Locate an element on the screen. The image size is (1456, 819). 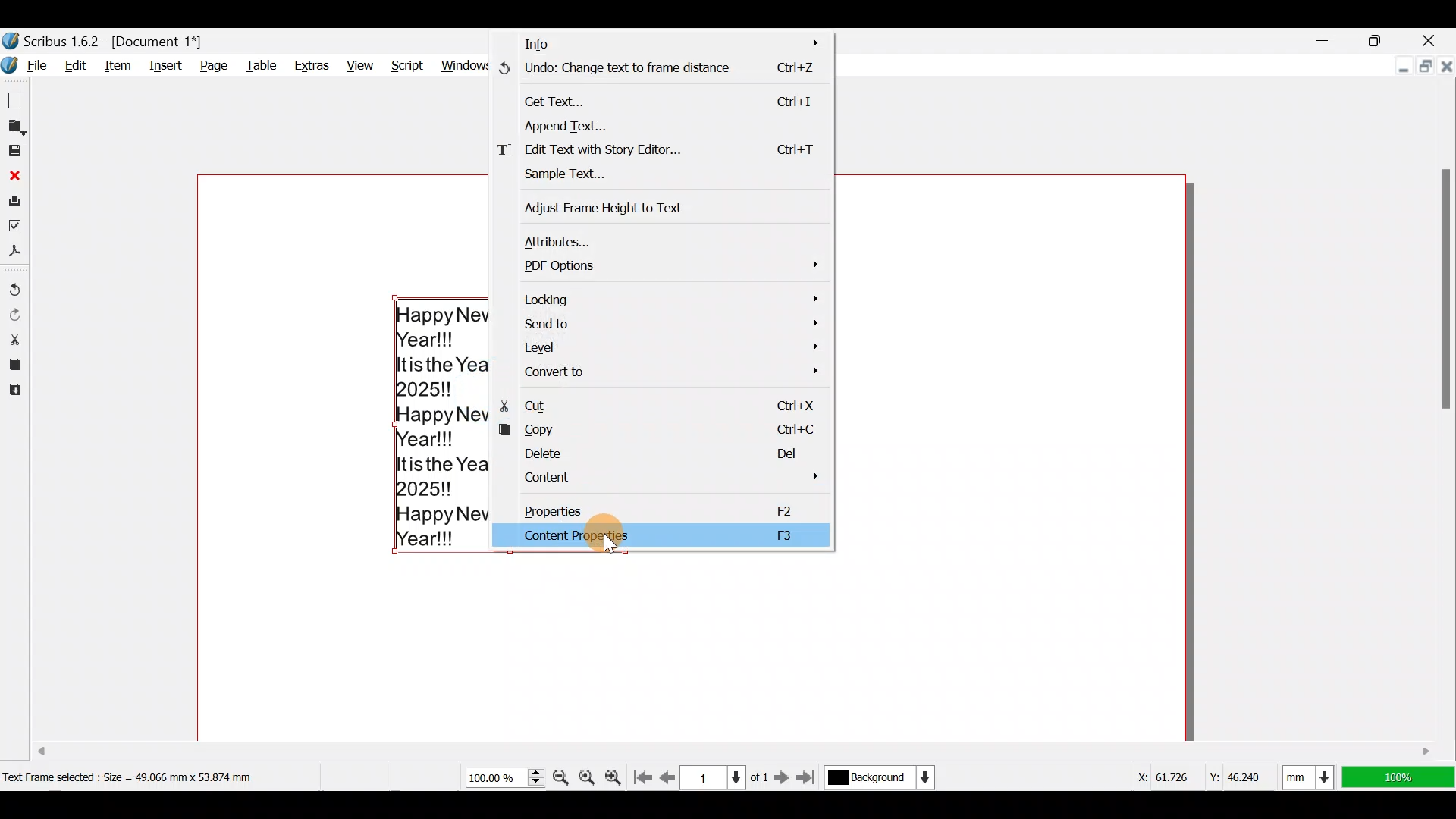
New is located at coordinates (17, 99).